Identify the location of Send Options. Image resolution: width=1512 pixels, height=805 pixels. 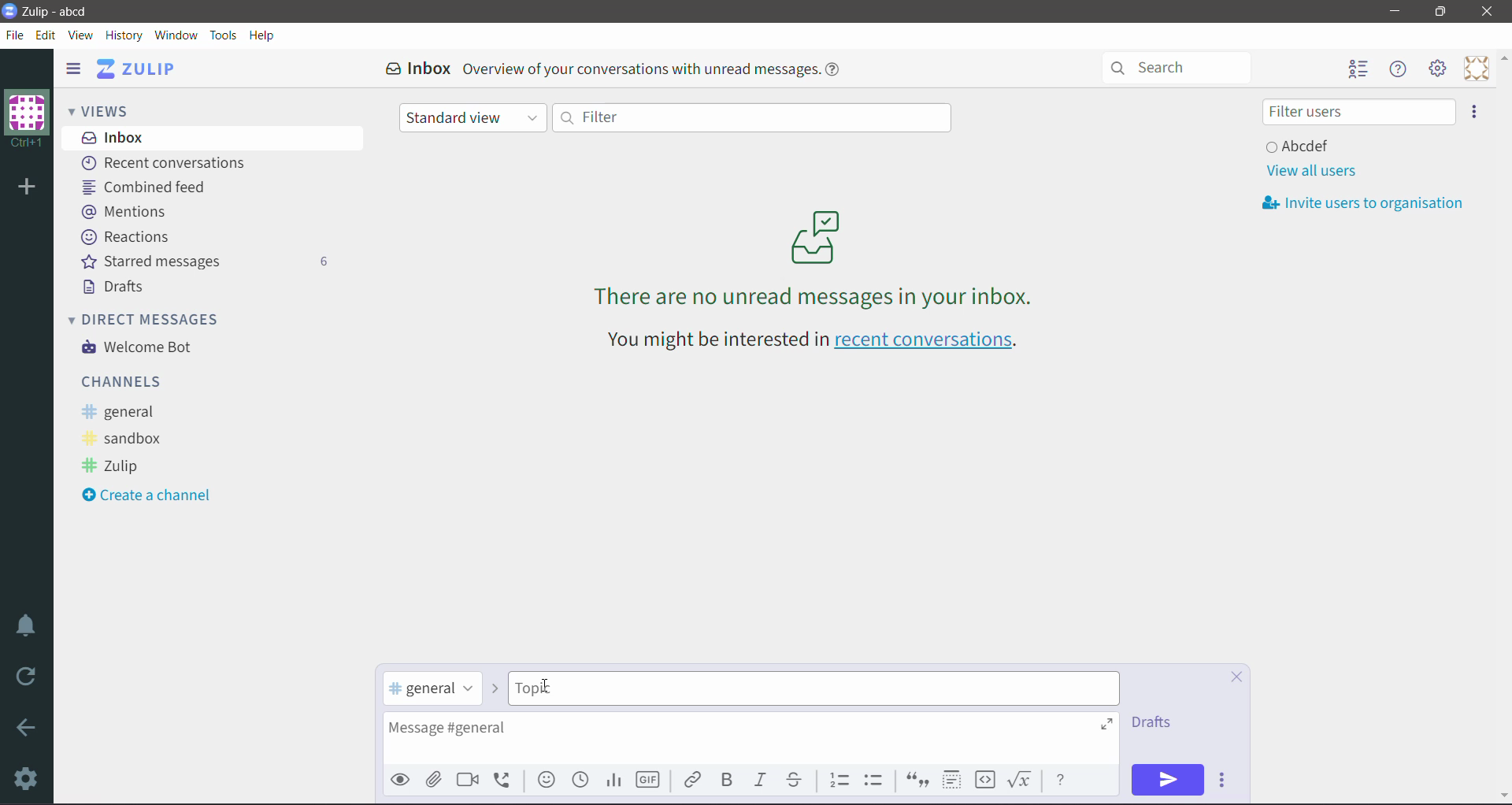
(1225, 781).